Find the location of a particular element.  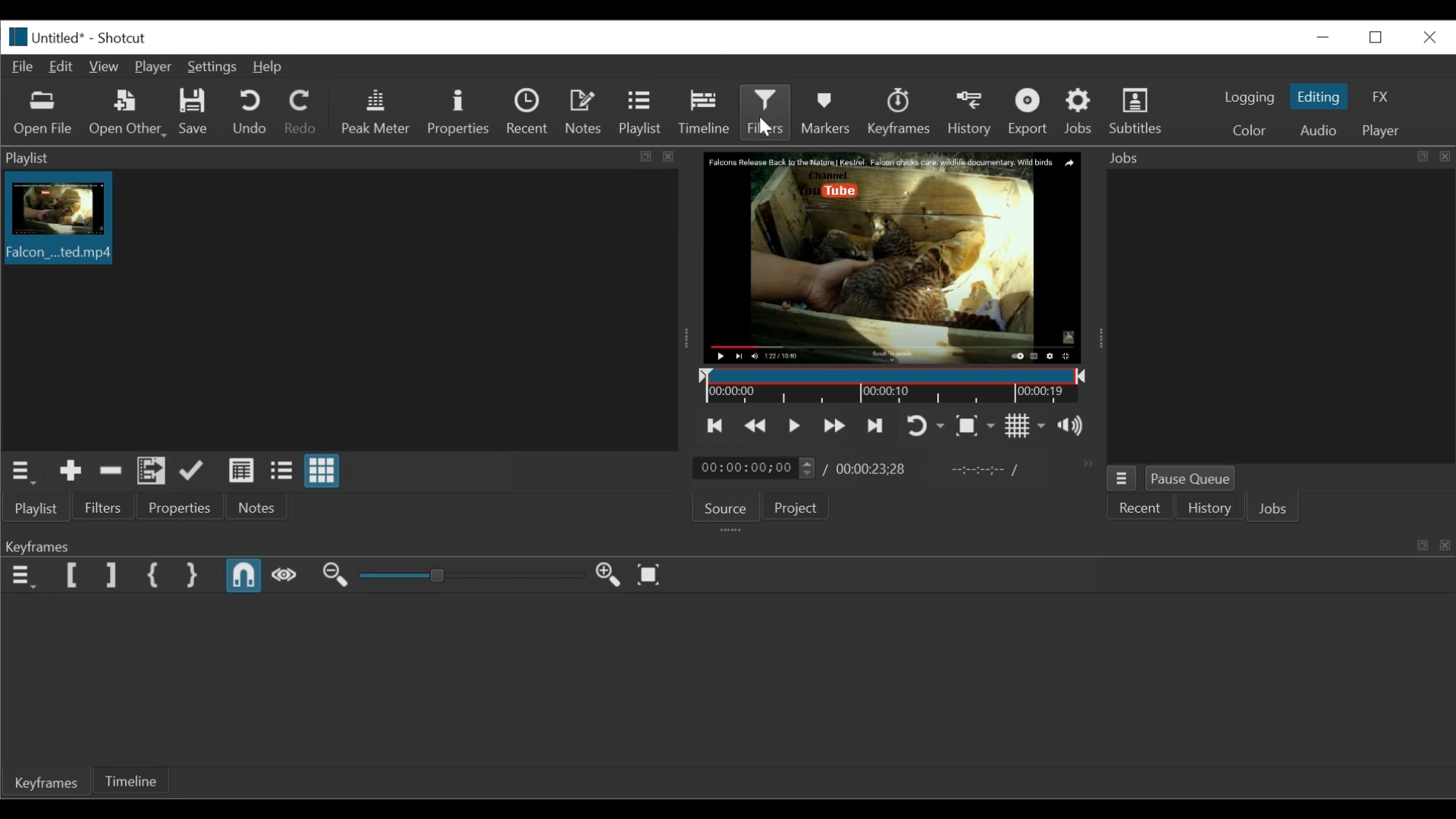

Shotcut is located at coordinates (124, 38).